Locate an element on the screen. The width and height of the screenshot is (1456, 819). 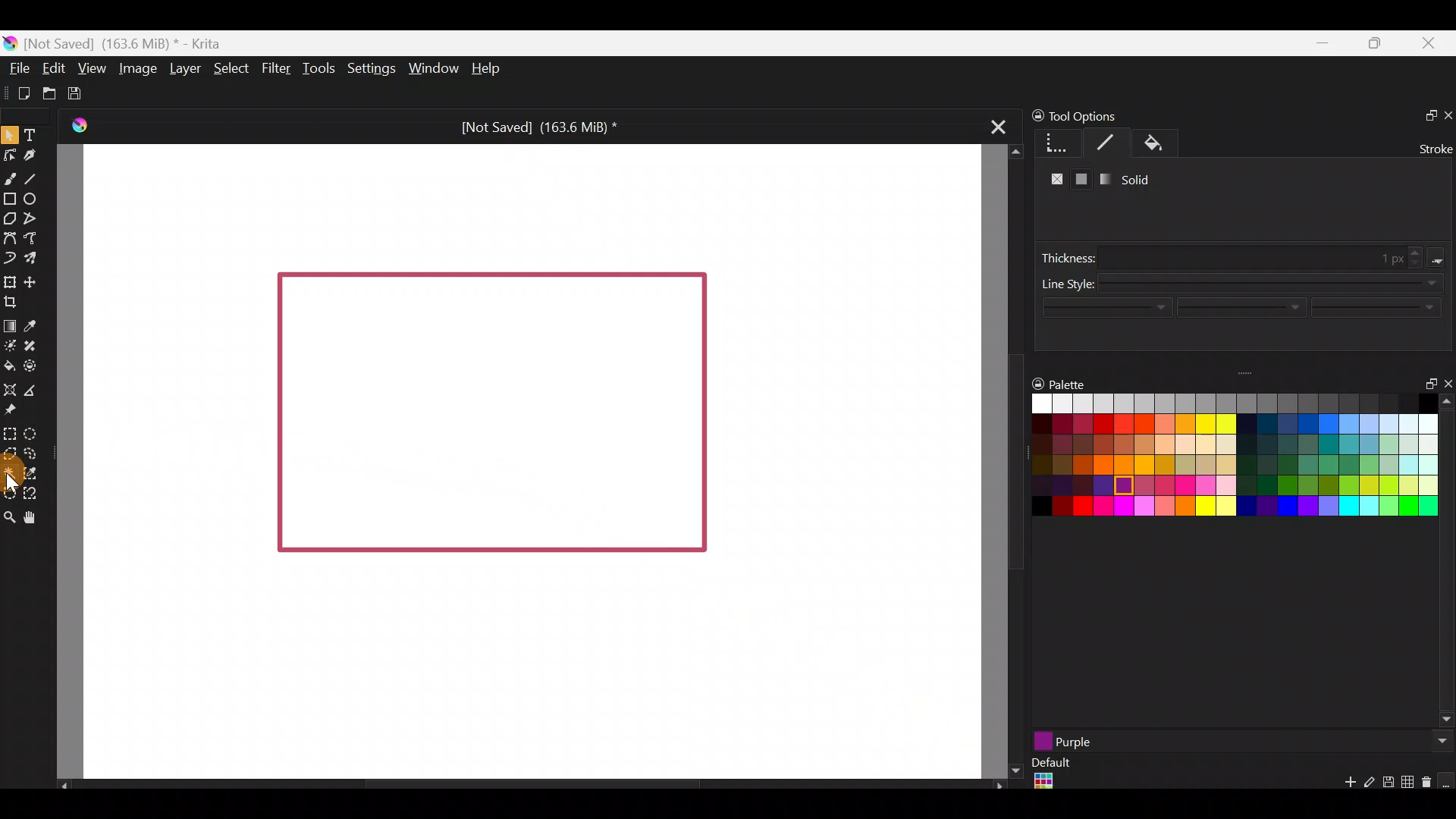
[Not Saved] (163.6 MiB) * - Krita is located at coordinates (132, 44).